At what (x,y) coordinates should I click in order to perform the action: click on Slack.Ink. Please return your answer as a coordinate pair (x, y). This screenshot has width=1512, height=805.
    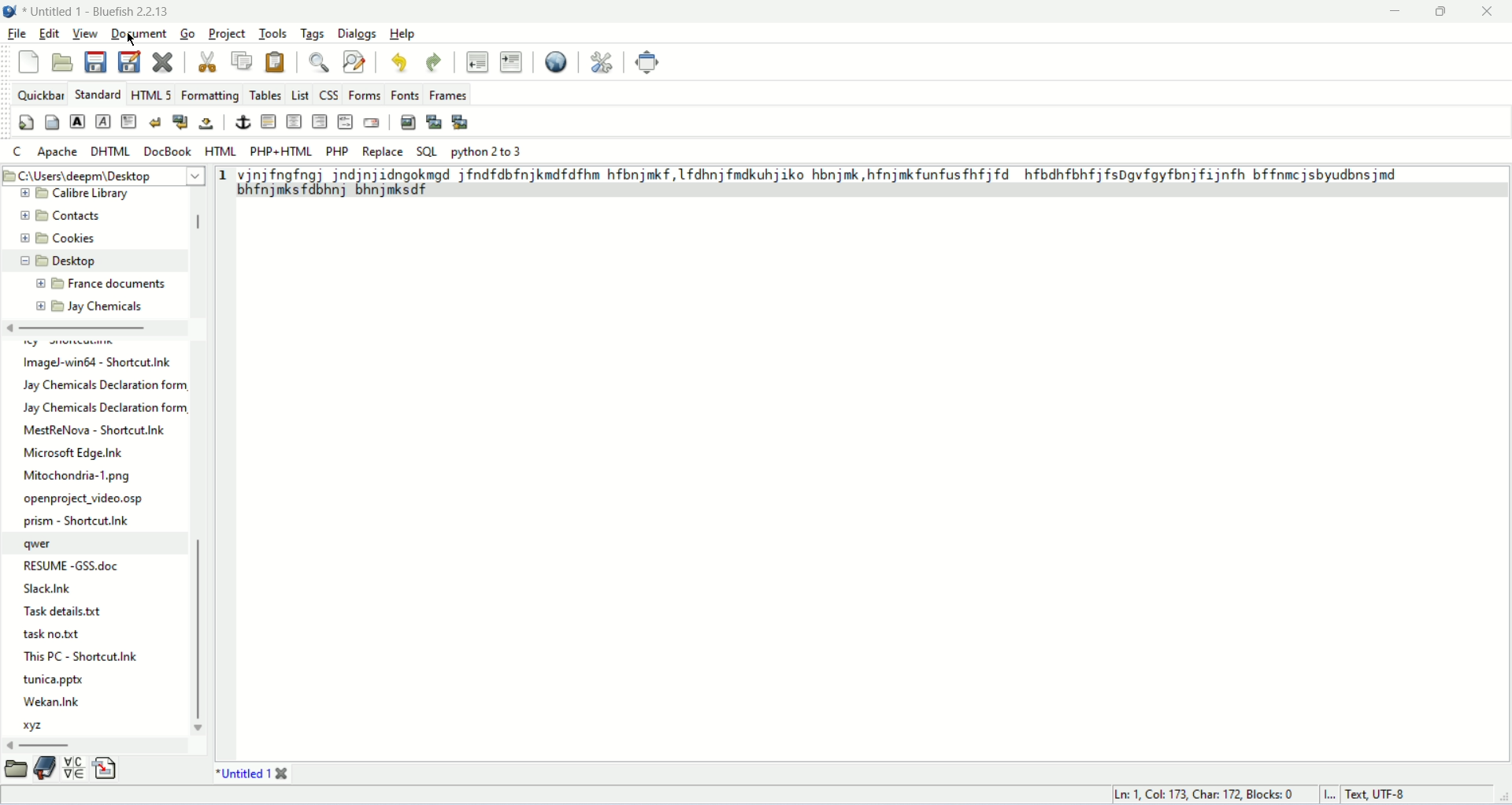
    Looking at the image, I should click on (43, 589).